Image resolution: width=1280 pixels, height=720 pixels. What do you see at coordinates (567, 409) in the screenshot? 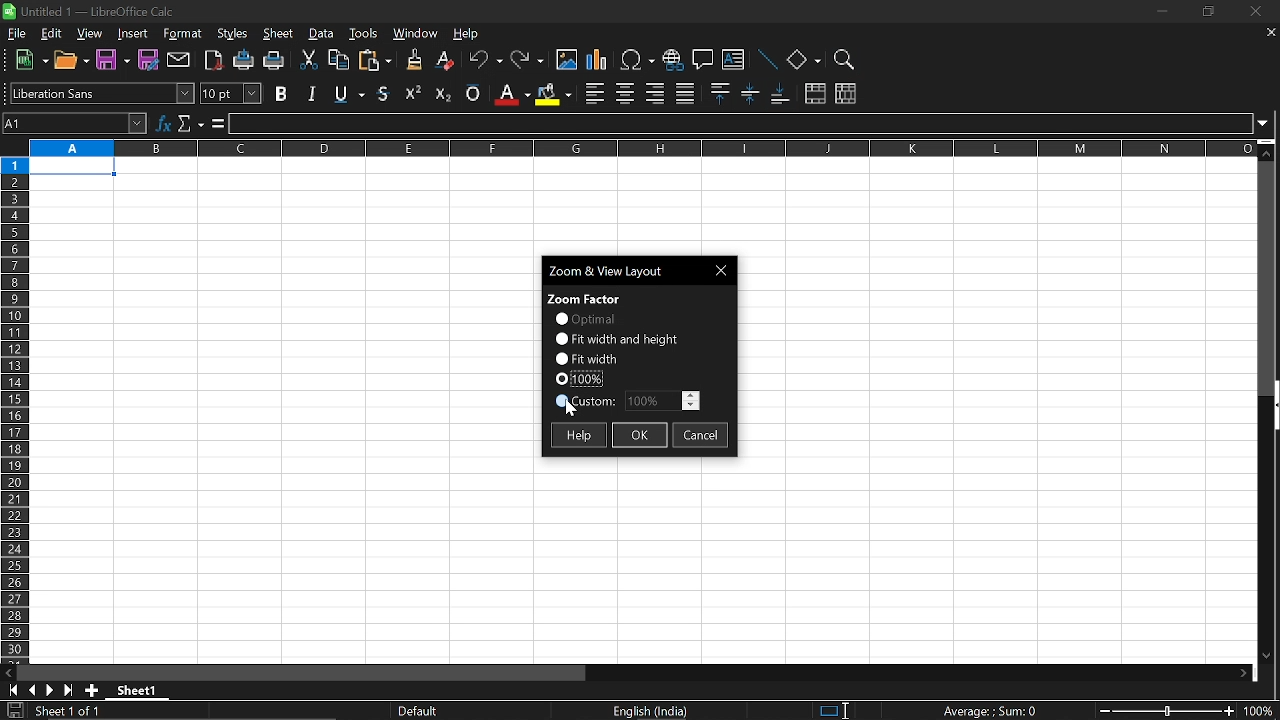
I see `Cursor` at bounding box center [567, 409].